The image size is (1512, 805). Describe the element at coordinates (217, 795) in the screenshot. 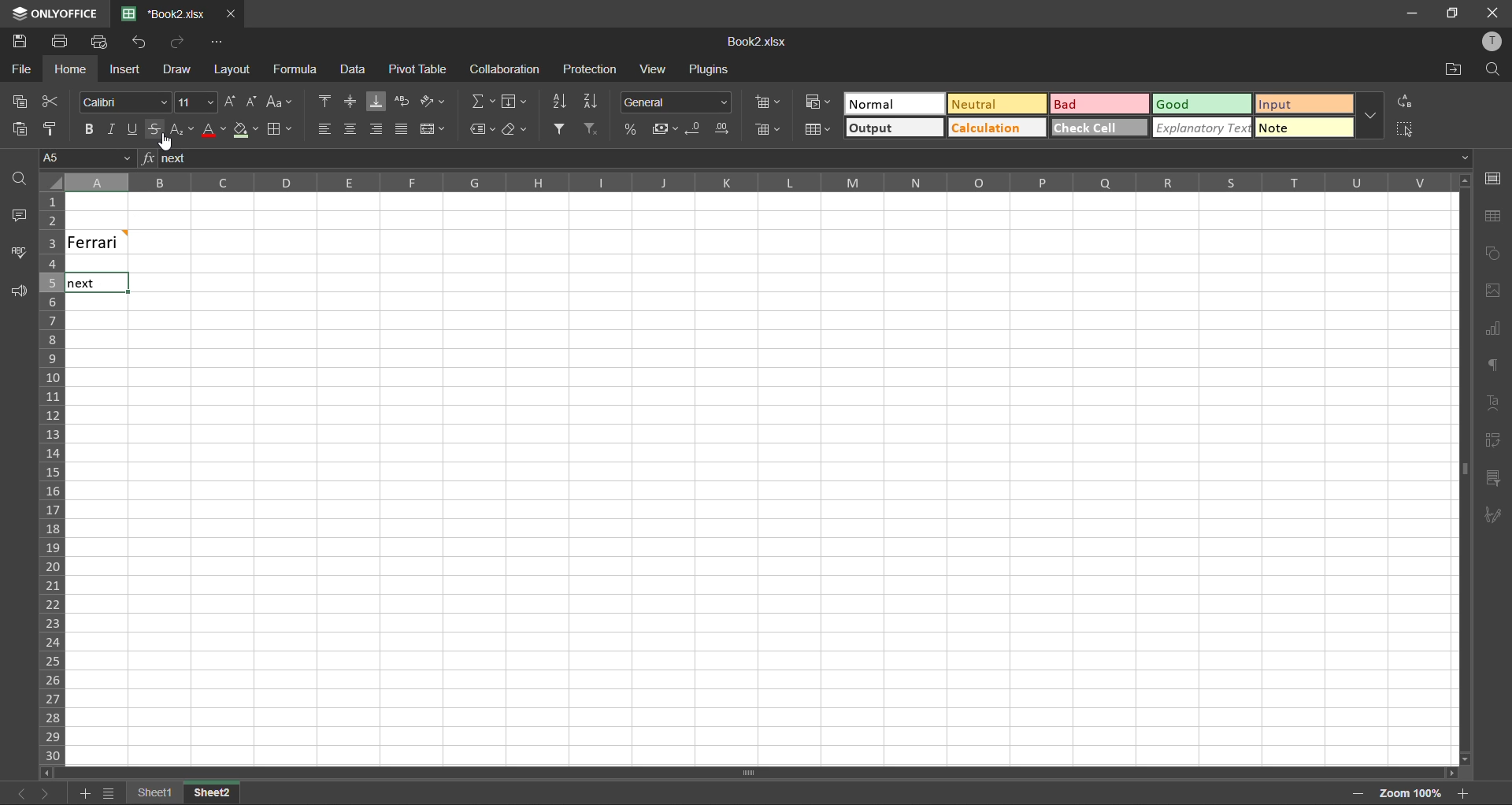

I see `Sheet2` at that location.